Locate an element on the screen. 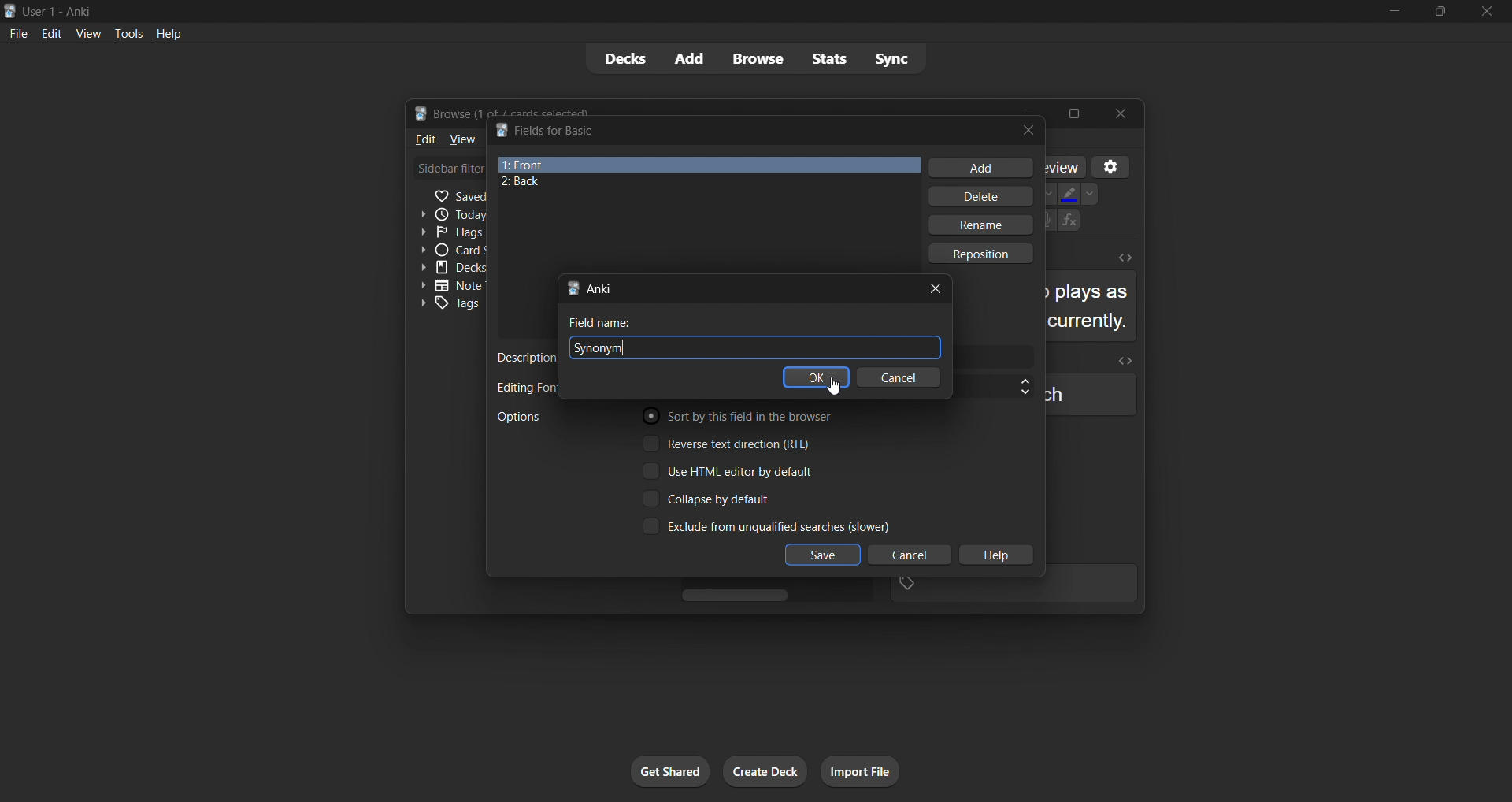  import file is located at coordinates (865, 770).